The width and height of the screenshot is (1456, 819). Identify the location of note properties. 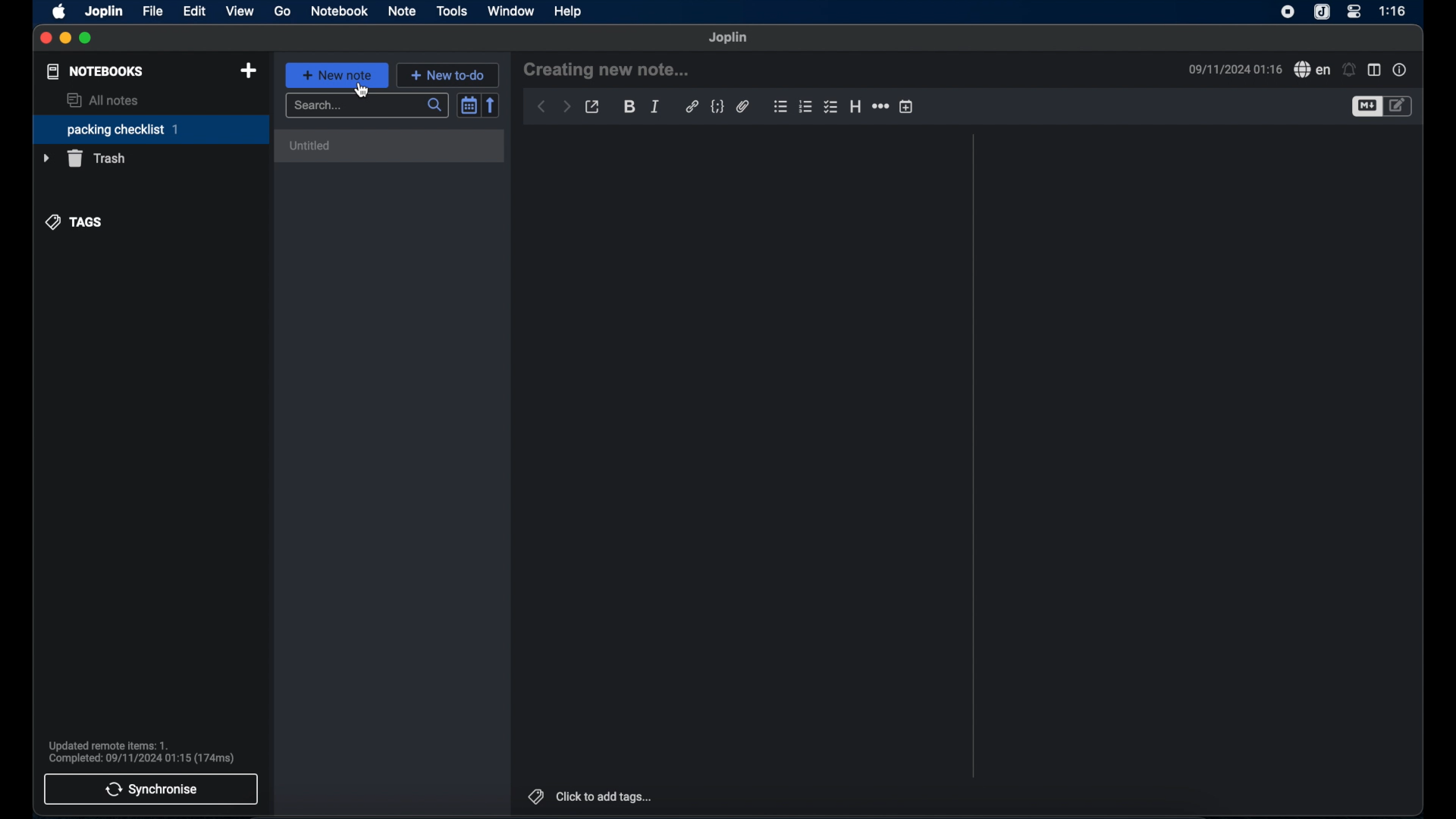
(1401, 70).